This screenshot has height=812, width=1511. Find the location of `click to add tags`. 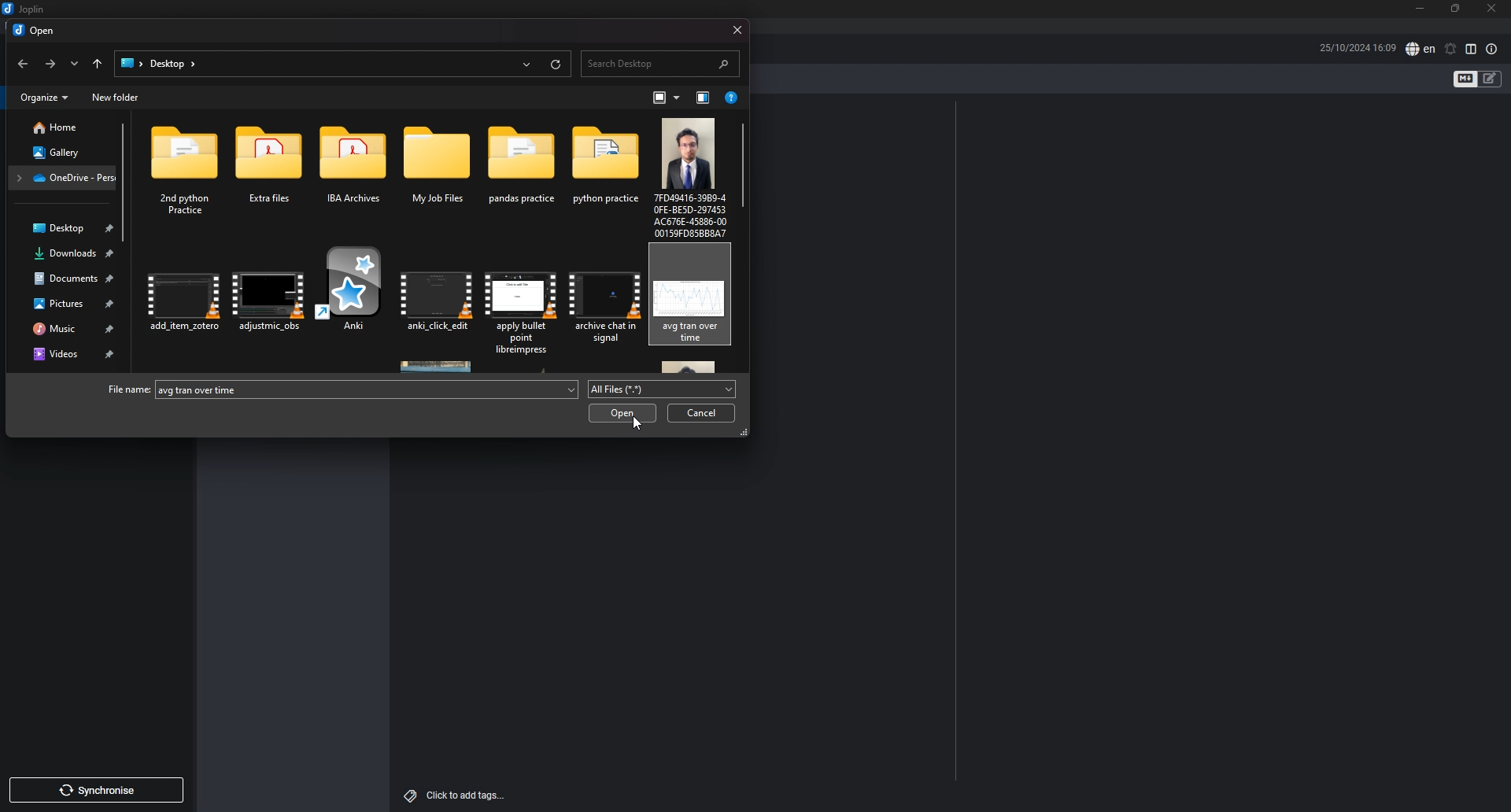

click to add tags is located at coordinates (455, 795).